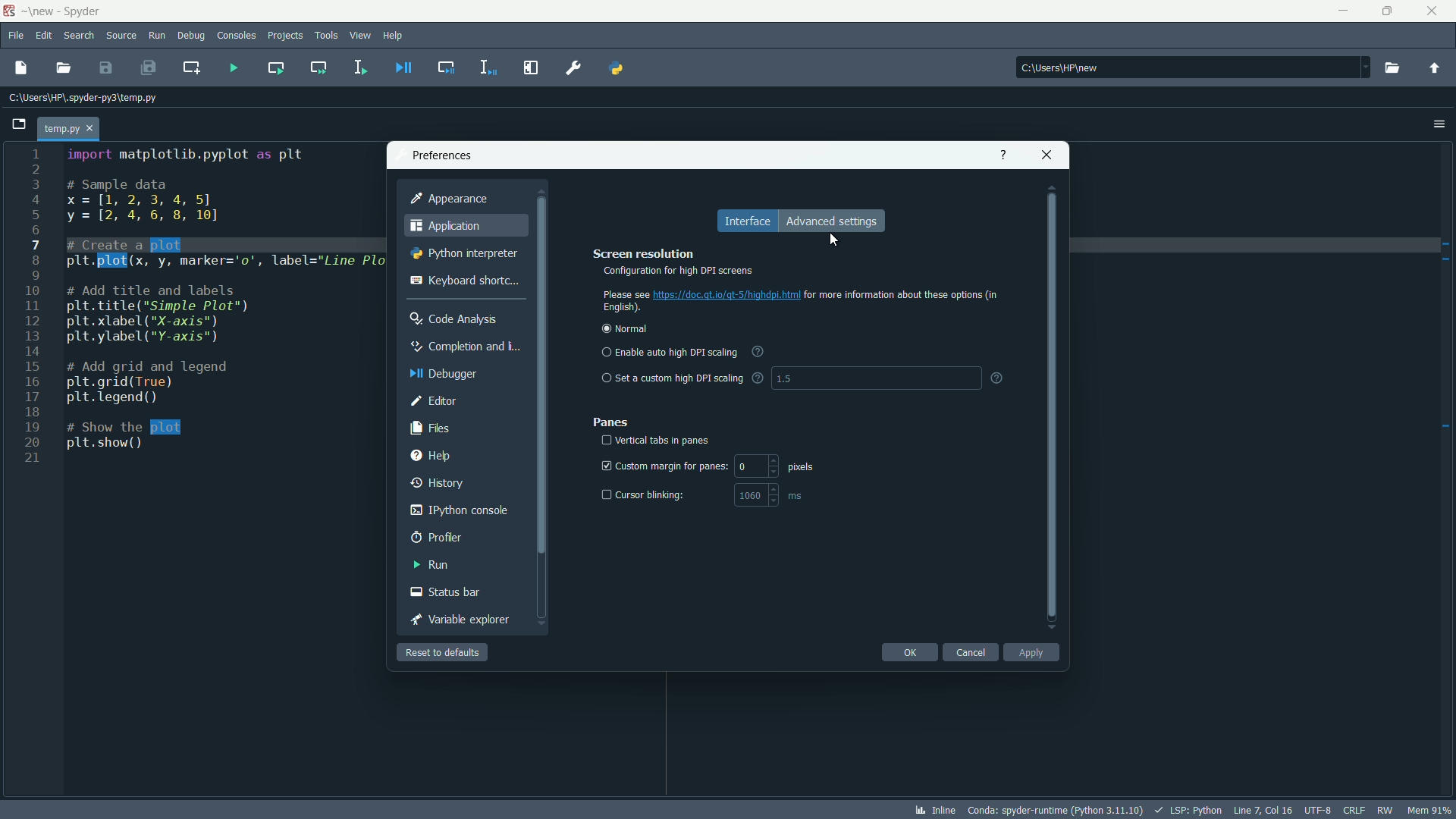  I want to click on line numbers, so click(30, 309).